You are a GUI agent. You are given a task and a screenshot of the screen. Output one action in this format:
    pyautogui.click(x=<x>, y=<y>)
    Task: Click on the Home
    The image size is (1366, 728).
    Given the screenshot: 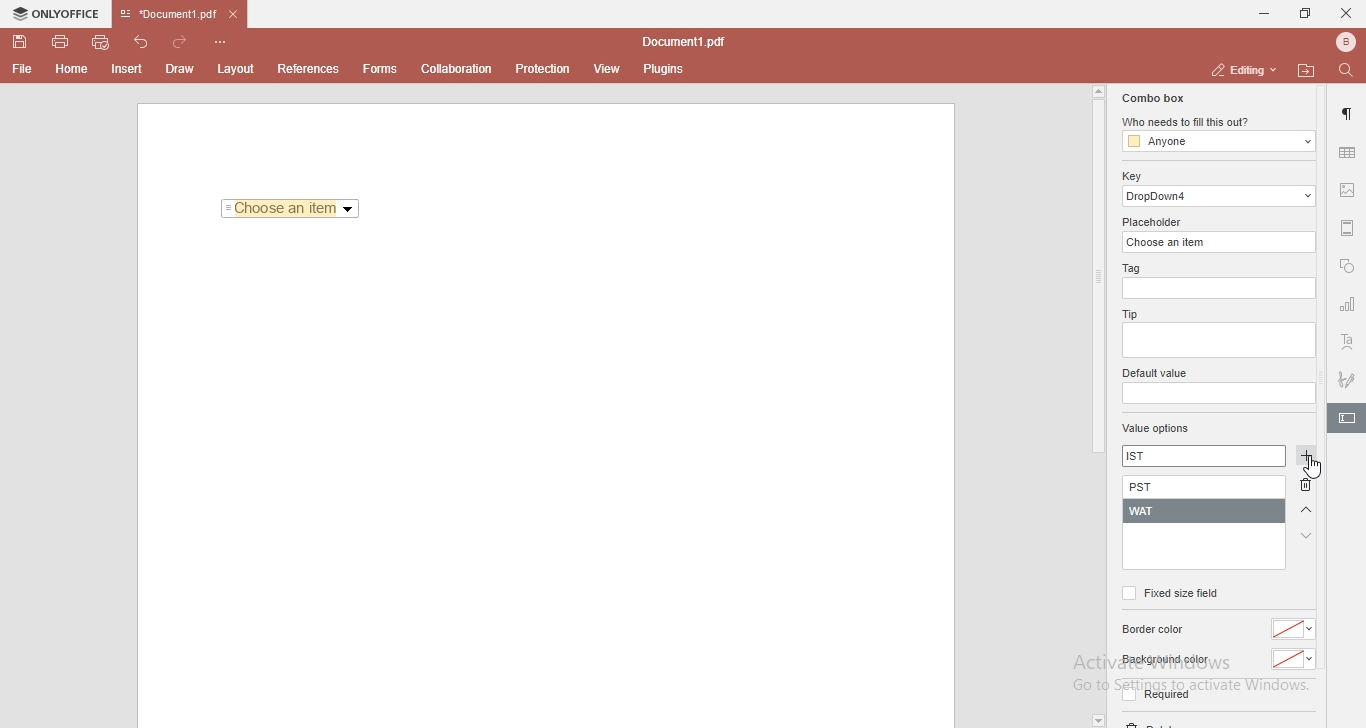 What is the action you would take?
    pyautogui.click(x=73, y=72)
    